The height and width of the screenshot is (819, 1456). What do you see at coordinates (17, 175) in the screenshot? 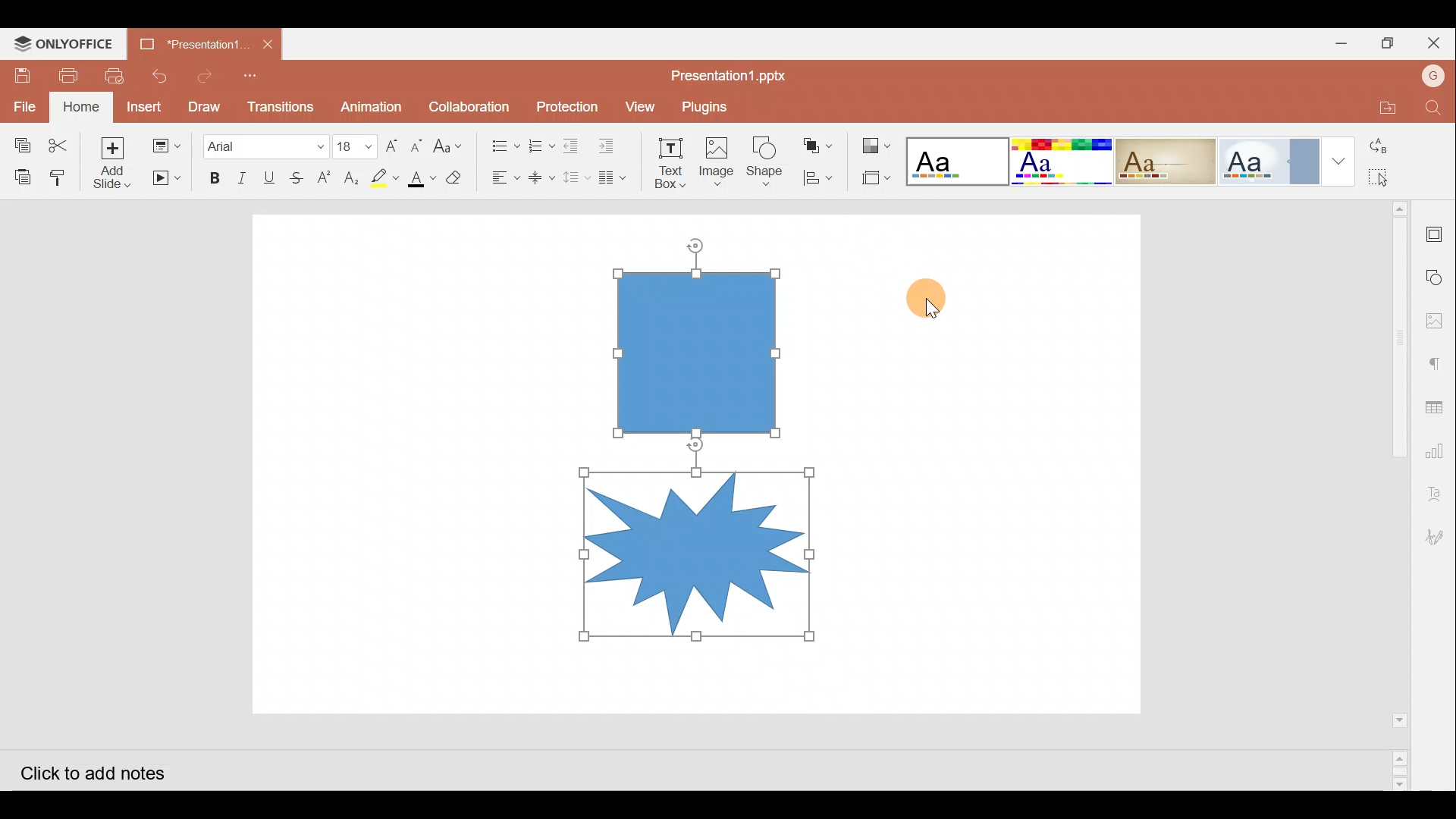
I see `Paste` at bounding box center [17, 175].